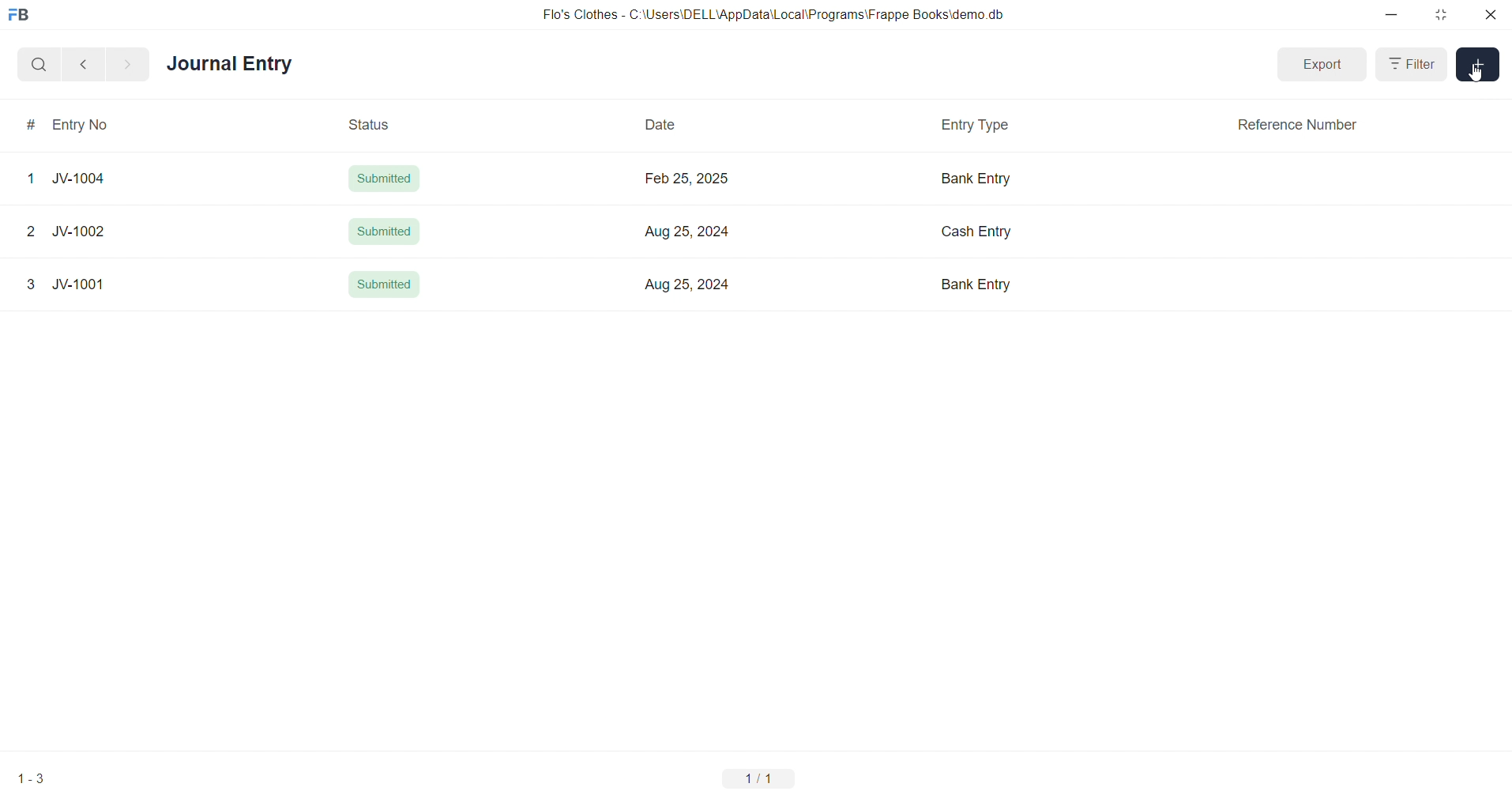  I want to click on add, so click(1482, 65).